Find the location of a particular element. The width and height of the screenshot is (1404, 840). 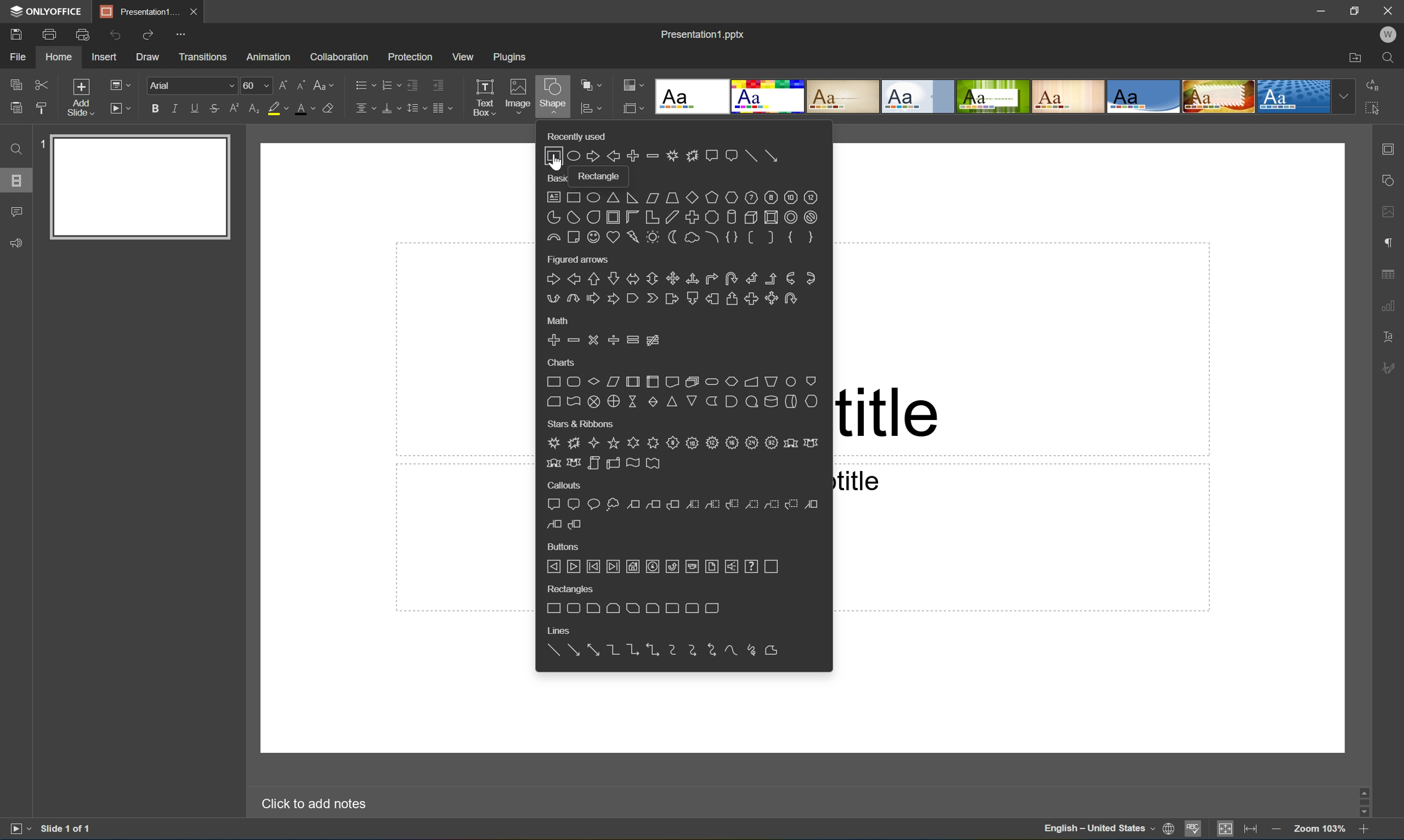

Customize quick access toolbar is located at coordinates (178, 33).